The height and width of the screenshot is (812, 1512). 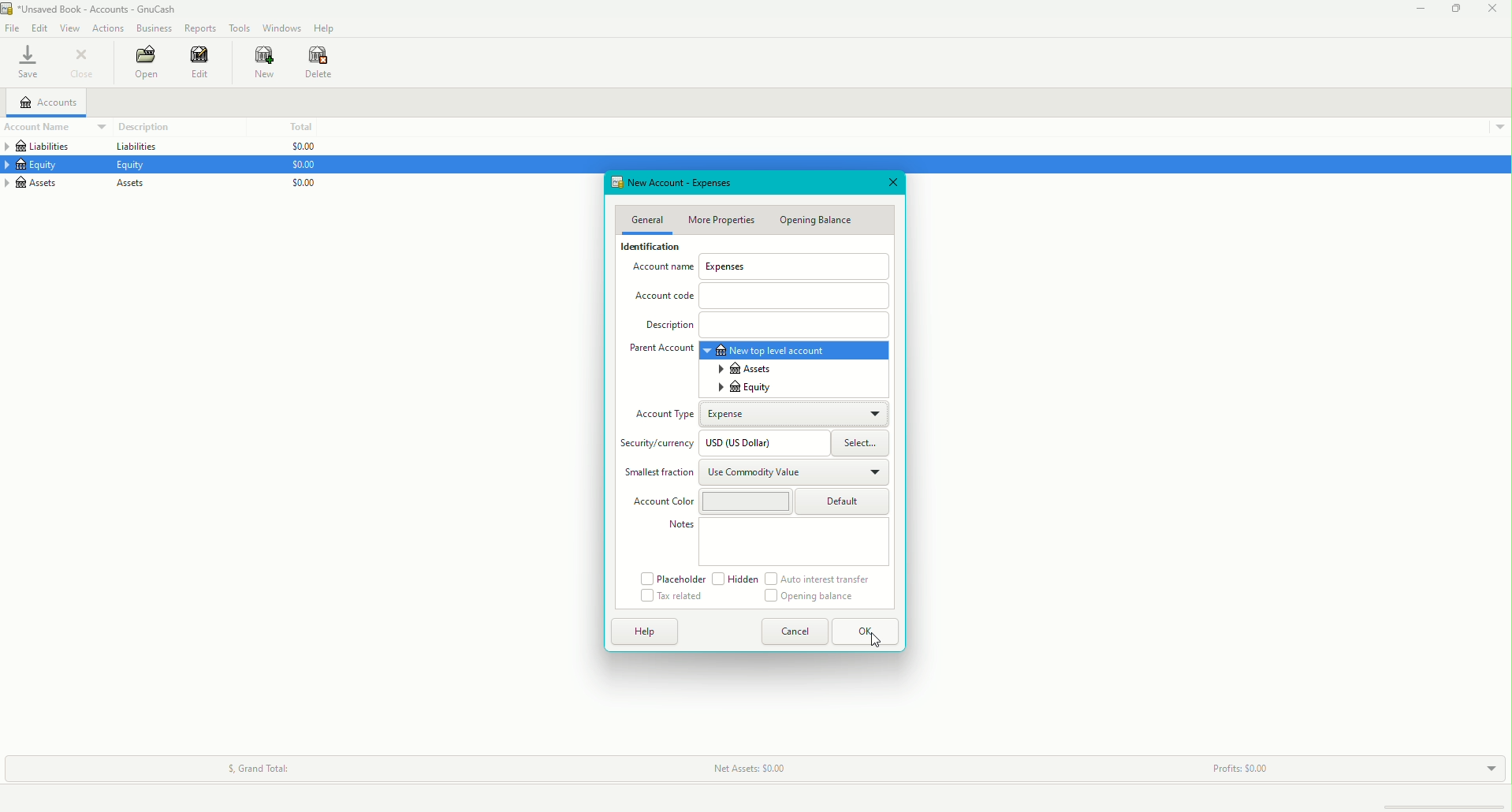 I want to click on , so click(x=133, y=166).